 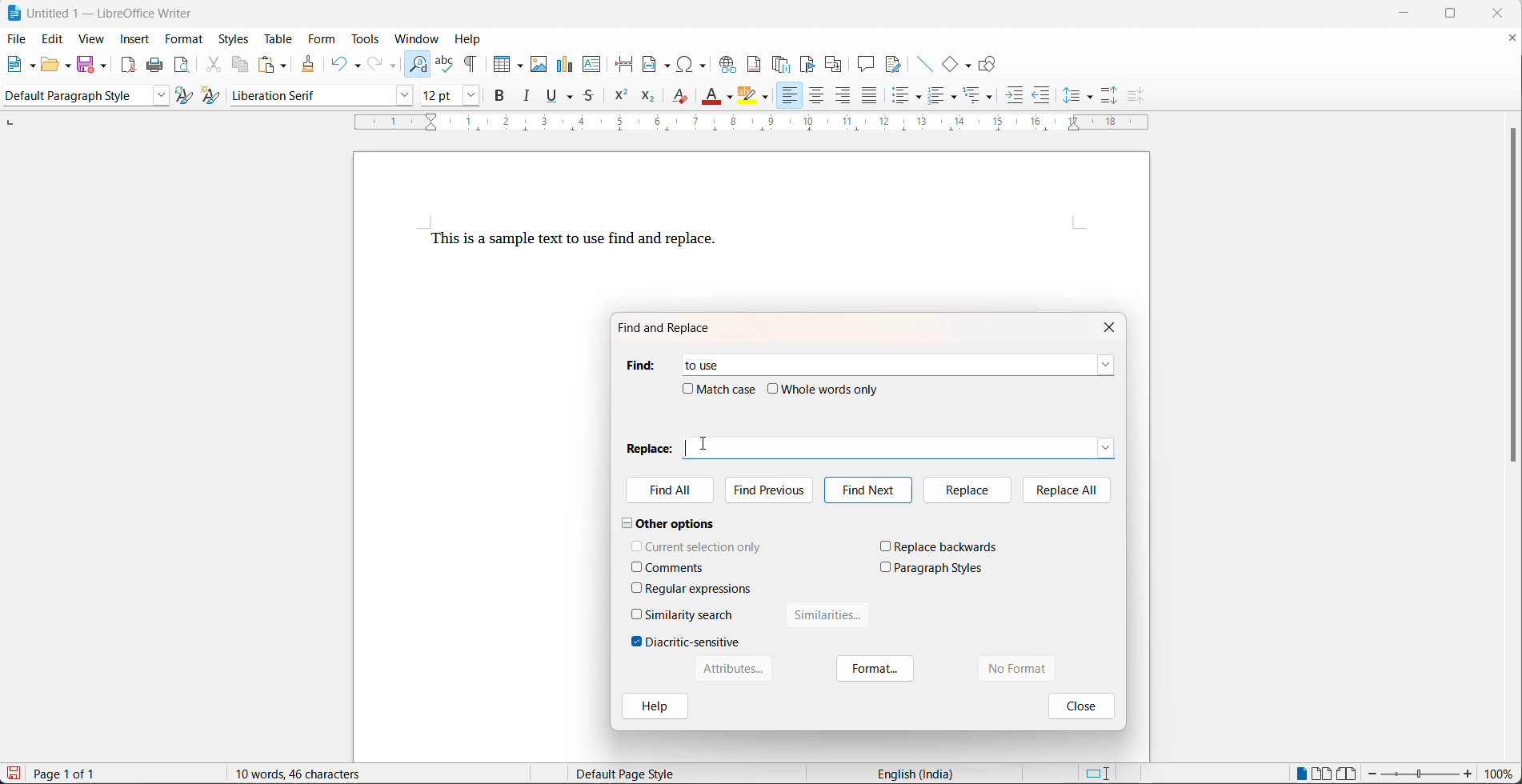 I want to click on checkbox, so click(x=637, y=587).